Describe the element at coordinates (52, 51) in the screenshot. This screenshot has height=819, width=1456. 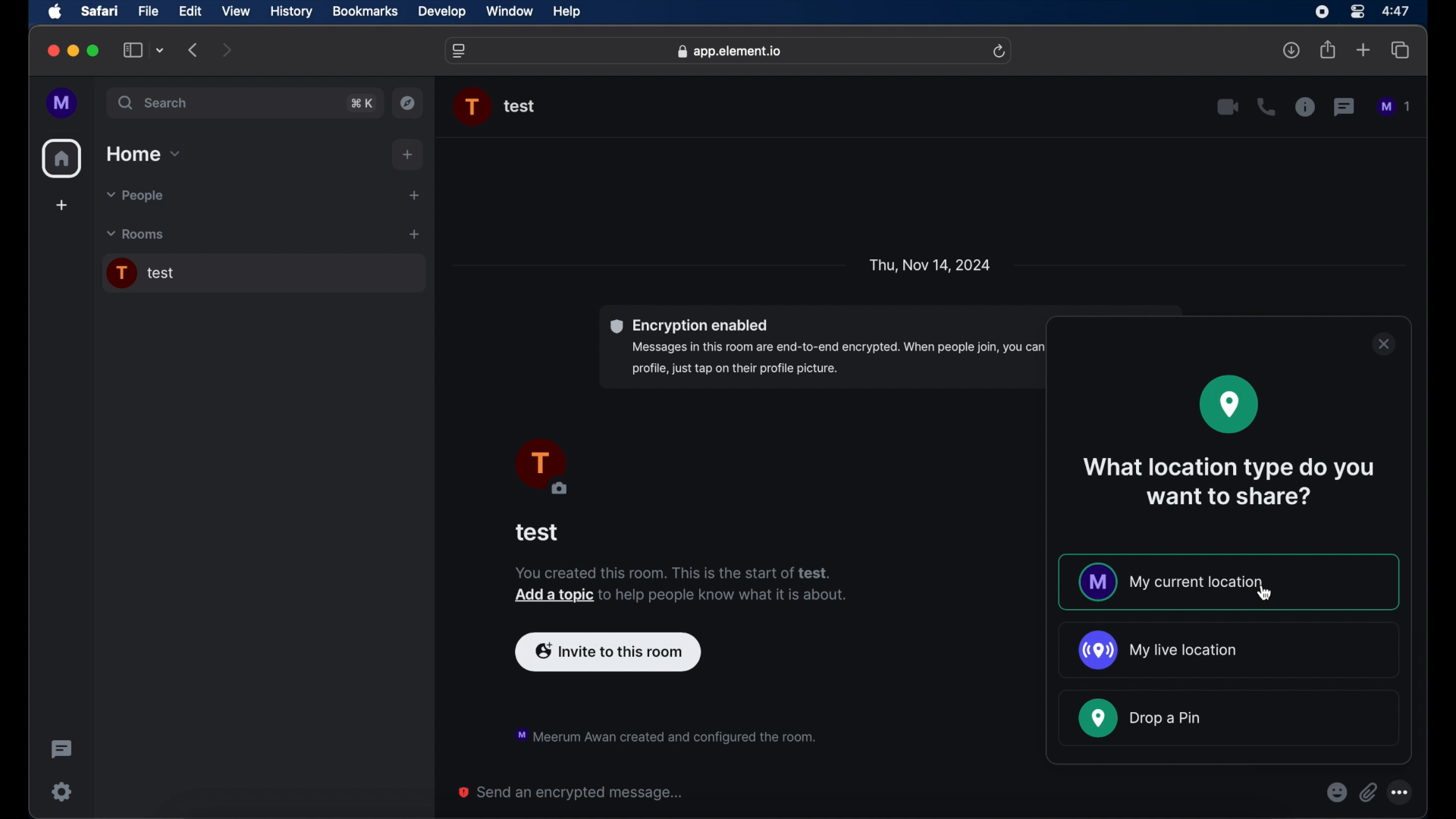
I see `close` at that location.